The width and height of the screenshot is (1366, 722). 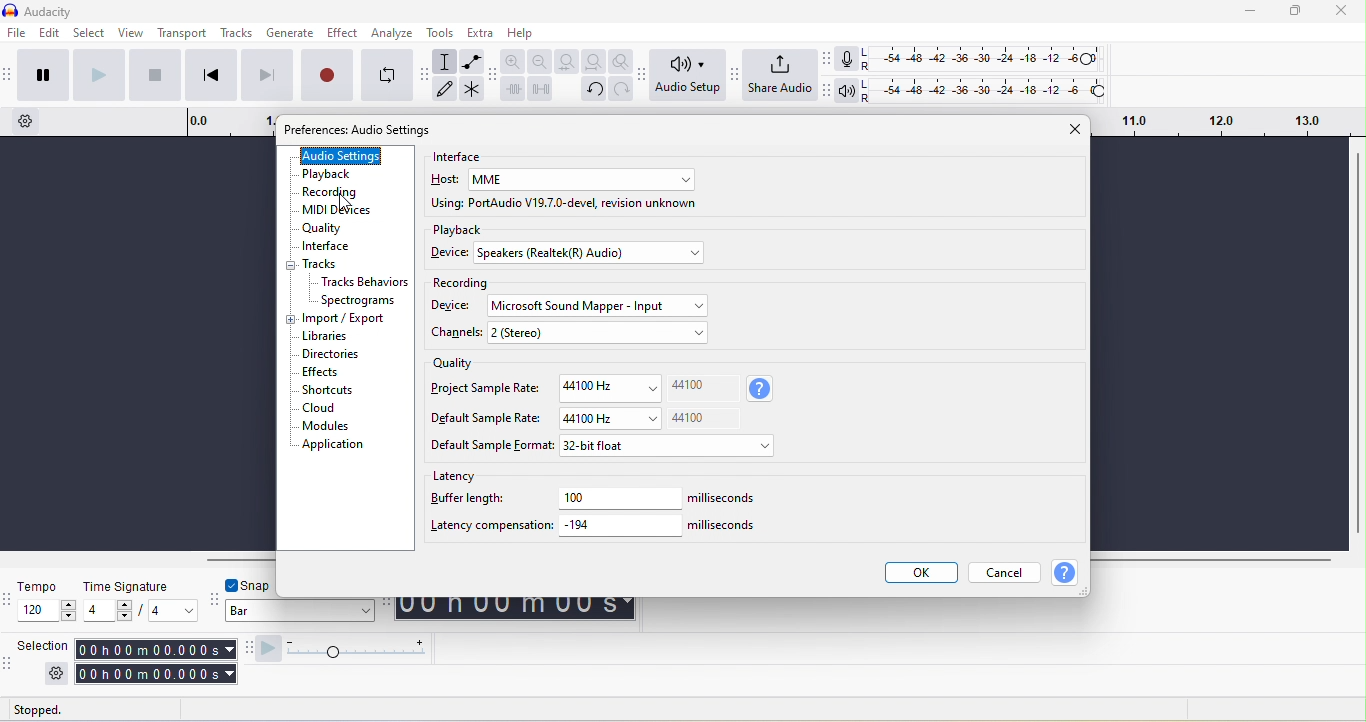 I want to click on audacity audio setup toolbar, so click(x=647, y=76).